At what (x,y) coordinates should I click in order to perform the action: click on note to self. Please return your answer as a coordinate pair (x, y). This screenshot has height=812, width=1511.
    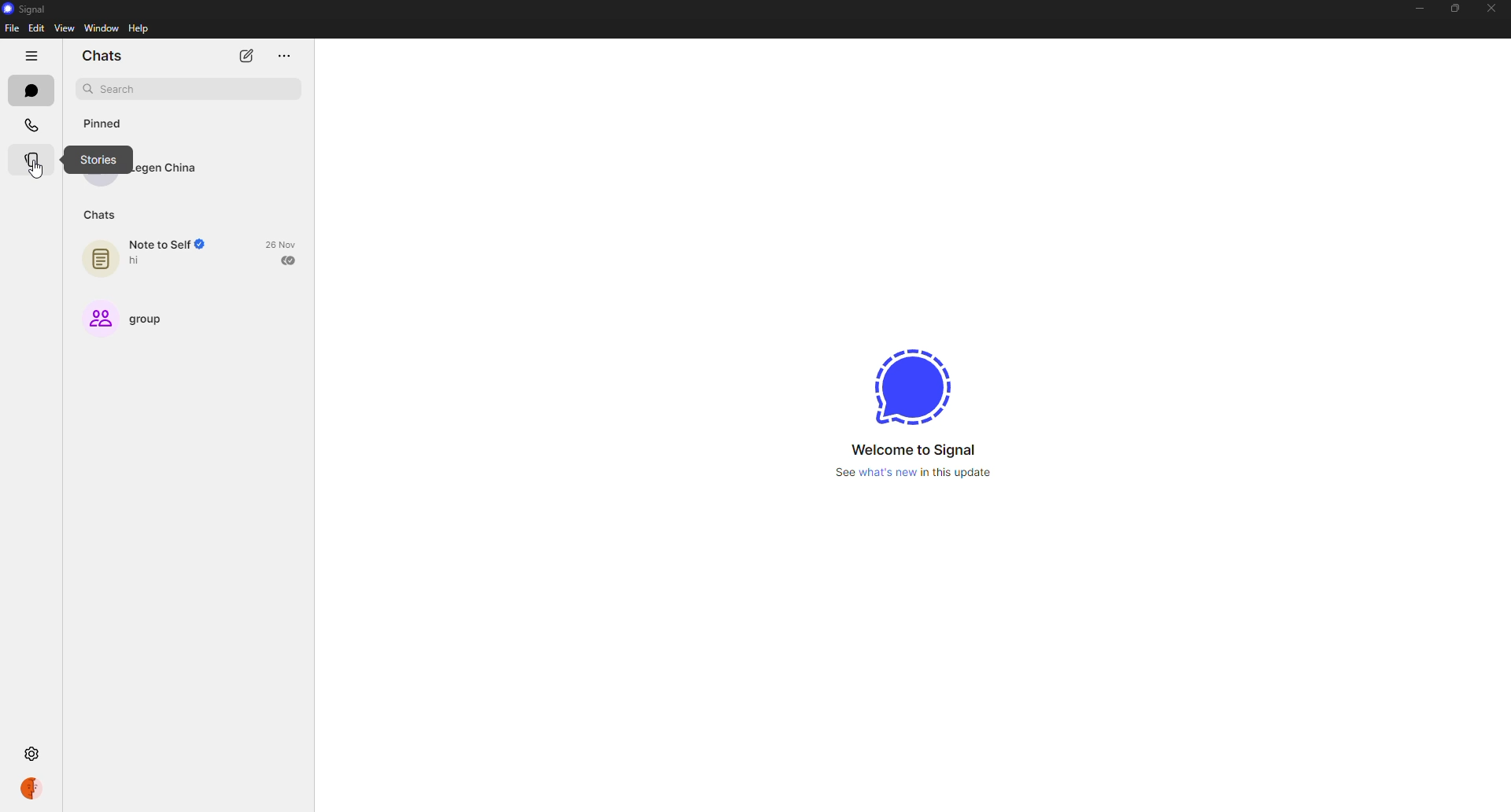
    Looking at the image, I should click on (150, 254).